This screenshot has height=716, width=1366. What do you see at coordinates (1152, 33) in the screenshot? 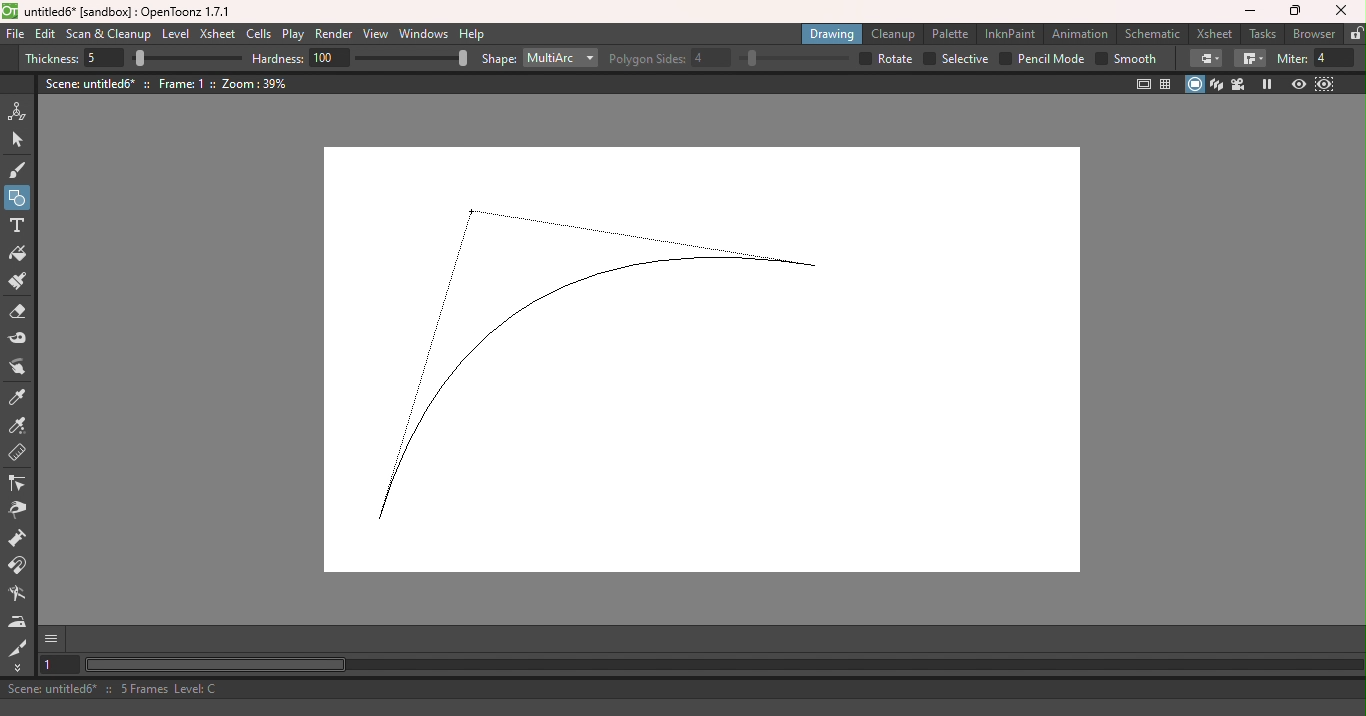
I see `Schematic` at bounding box center [1152, 33].